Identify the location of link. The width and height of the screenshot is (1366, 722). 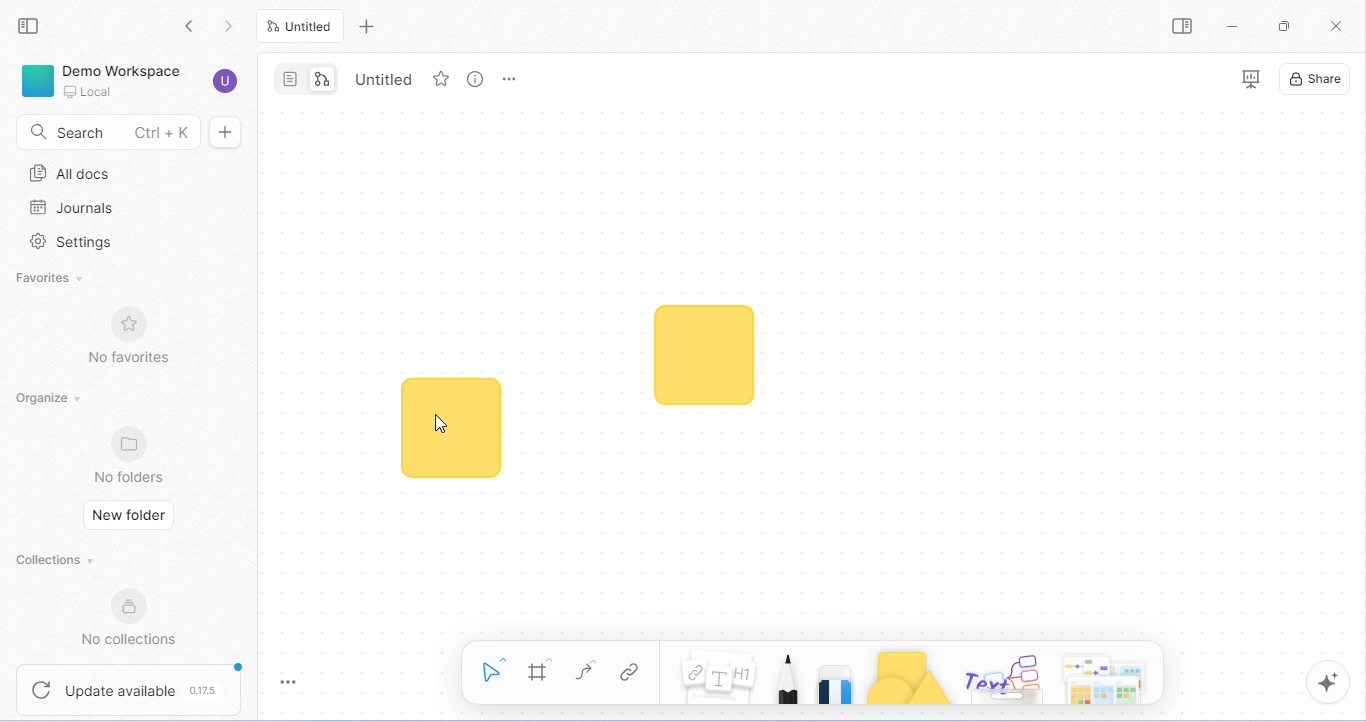
(633, 673).